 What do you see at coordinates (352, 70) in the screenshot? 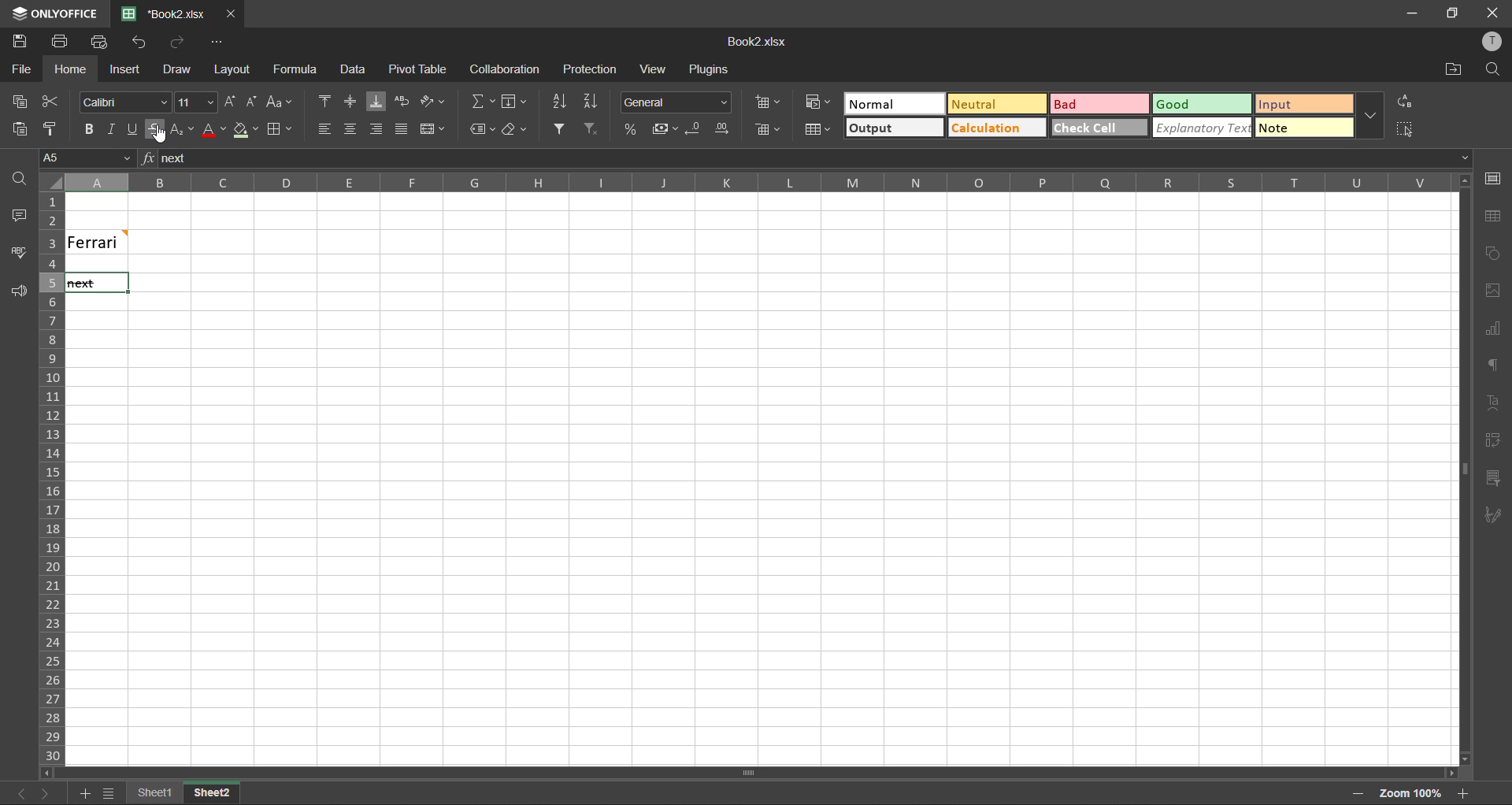
I see `data` at bounding box center [352, 70].